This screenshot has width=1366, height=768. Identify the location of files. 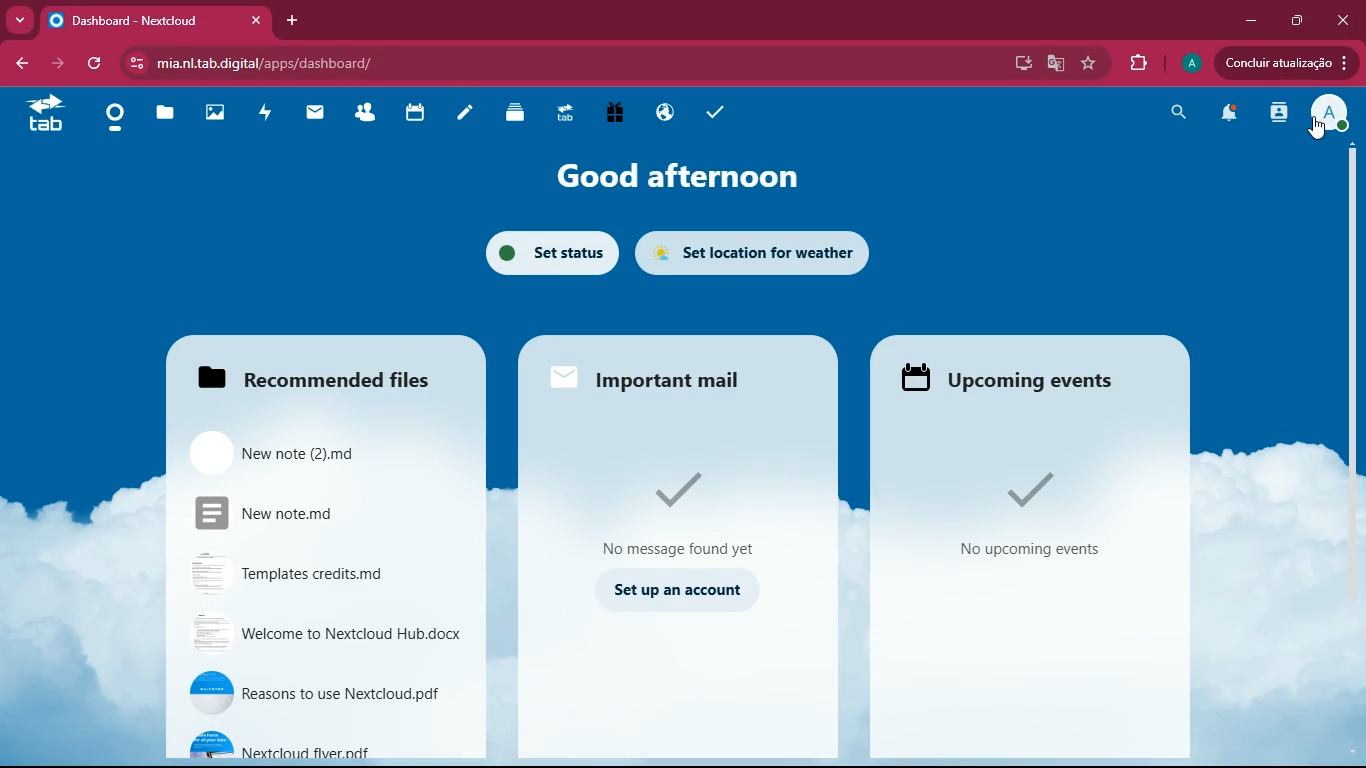
(167, 115).